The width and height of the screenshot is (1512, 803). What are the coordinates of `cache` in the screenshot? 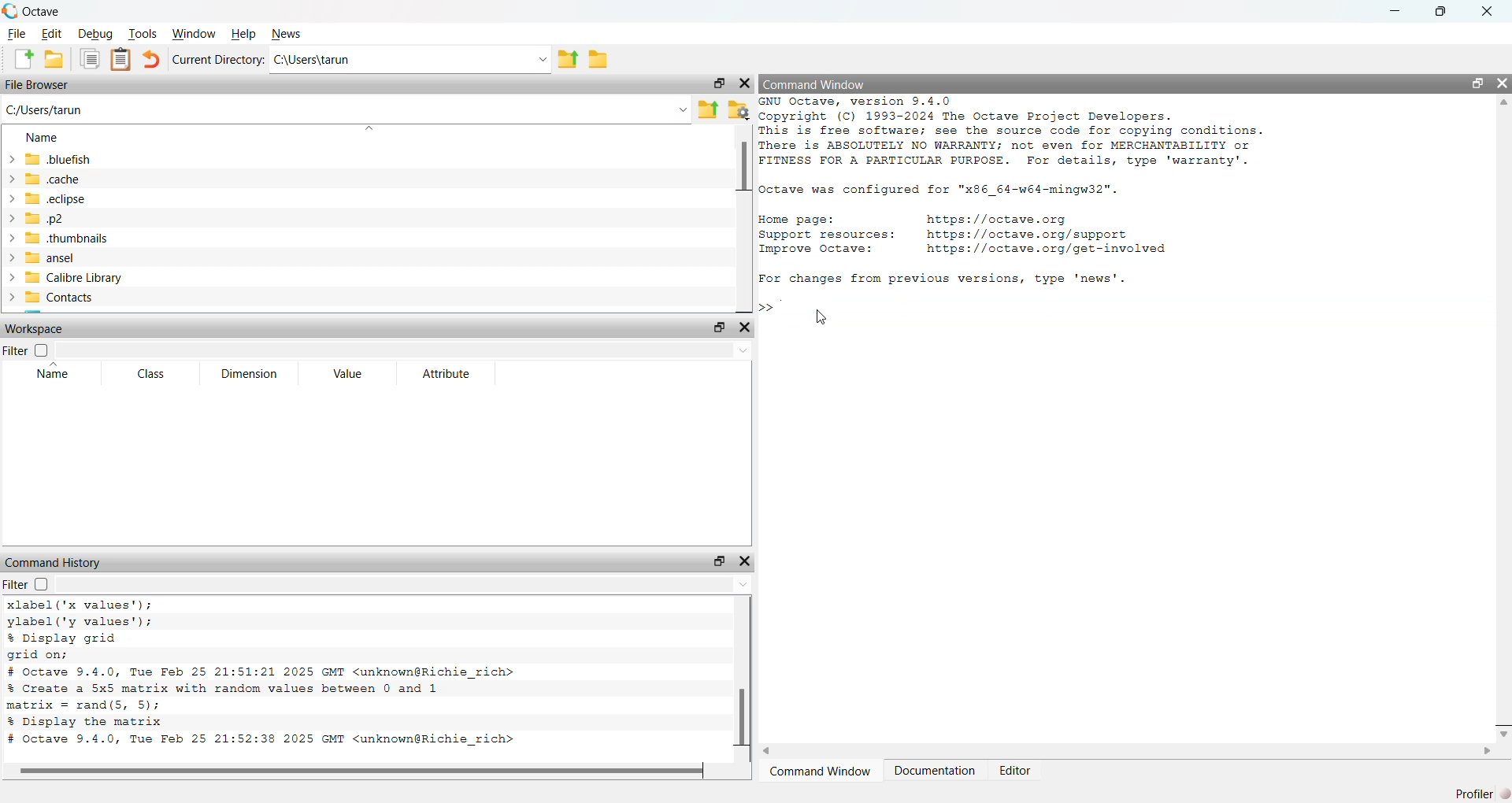 It's located at (45, 179).